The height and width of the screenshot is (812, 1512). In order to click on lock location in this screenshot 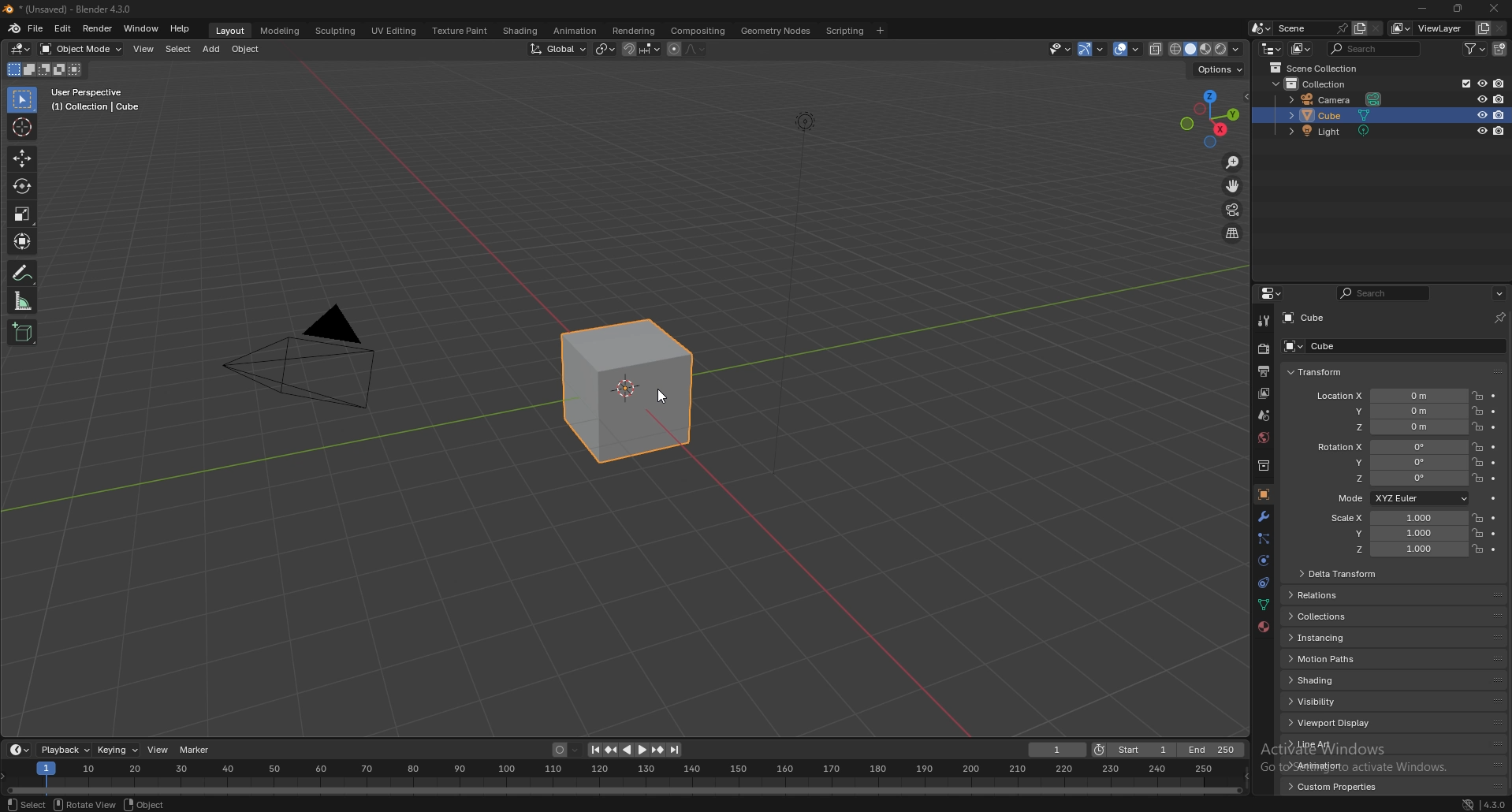, I will do `click(1478, 478)`.